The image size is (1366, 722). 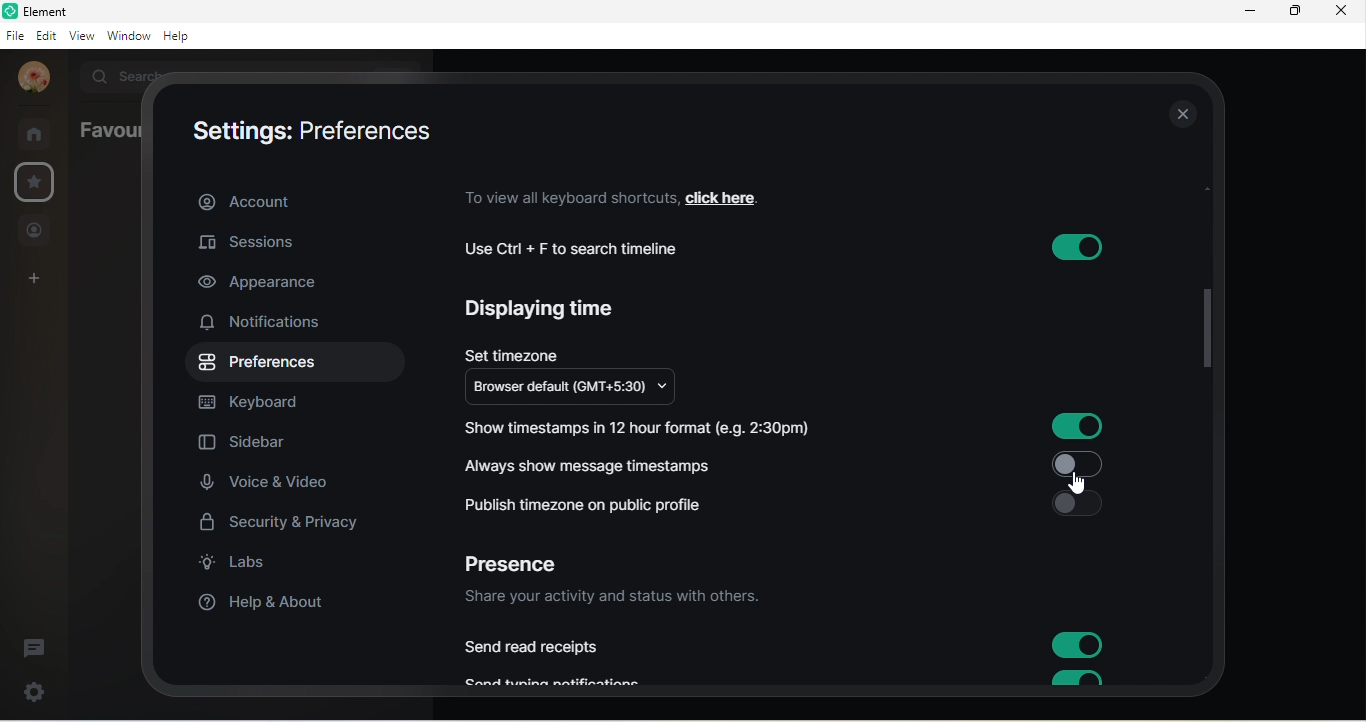 I want to click on quick settings, so click(x=27, y=692).